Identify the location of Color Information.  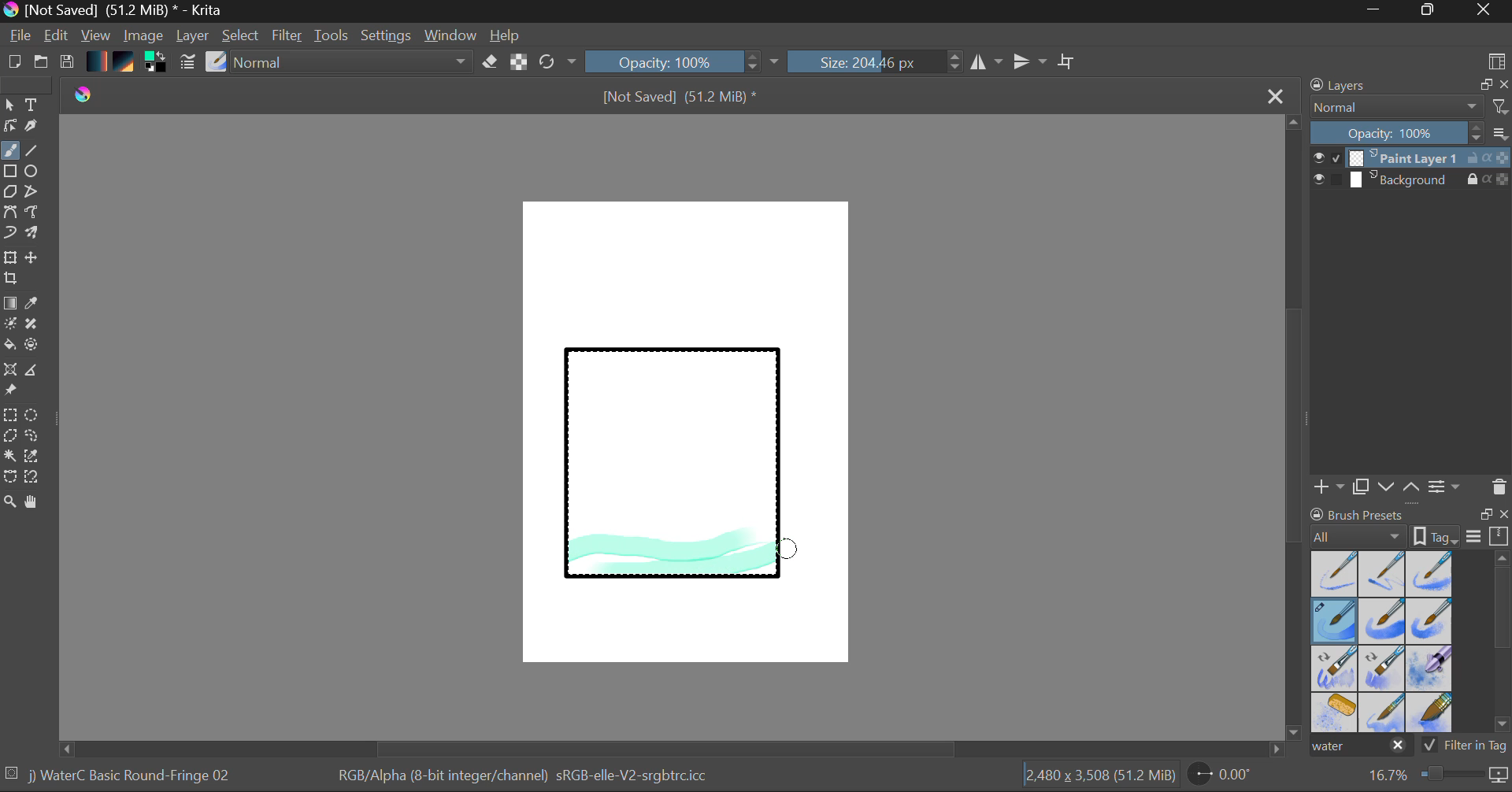
(521, 777).